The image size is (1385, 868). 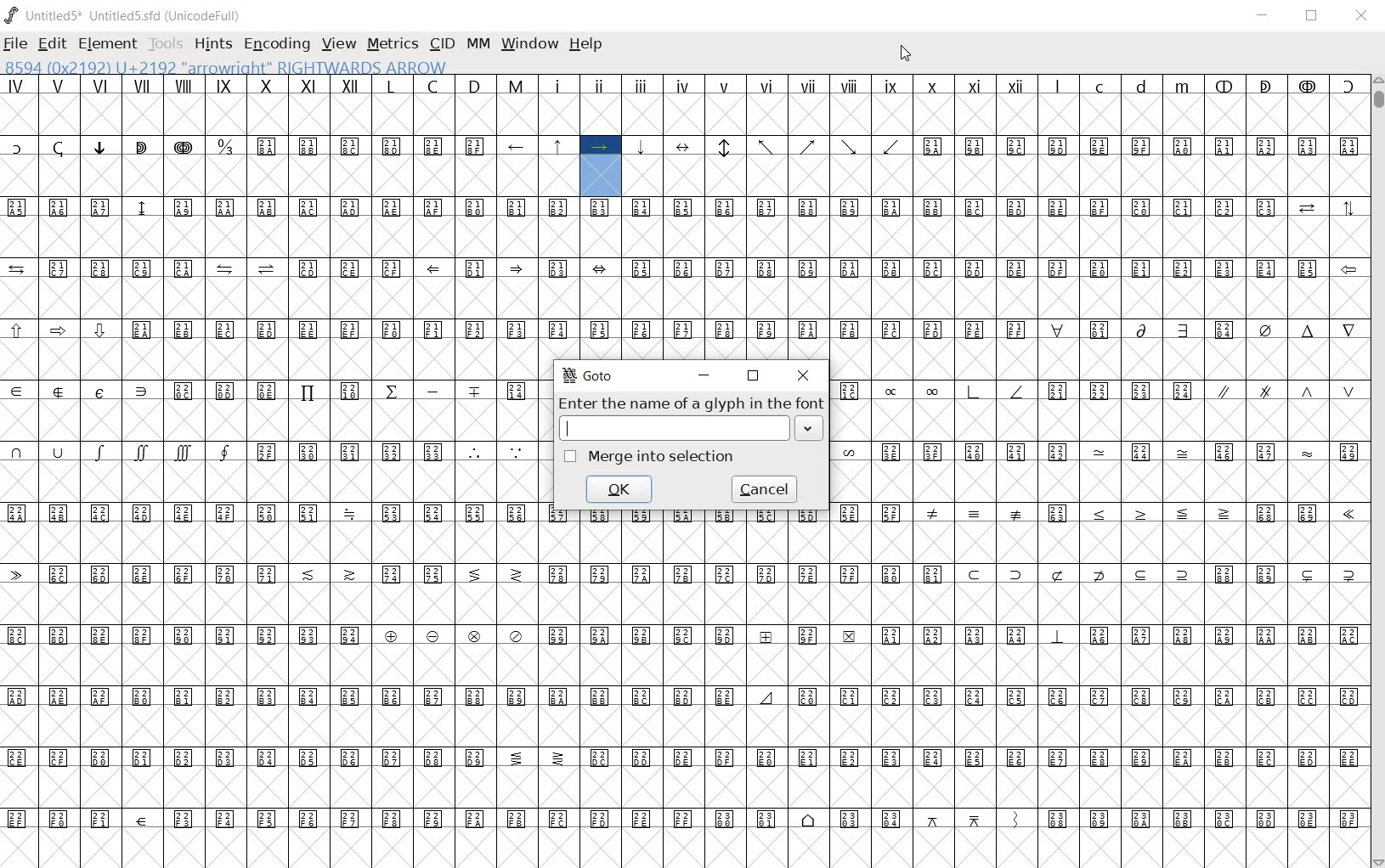 What do you see at coordinates (270, 473) in the screenshot?
I see `Glyph characters` at bounding box center [270, 473].